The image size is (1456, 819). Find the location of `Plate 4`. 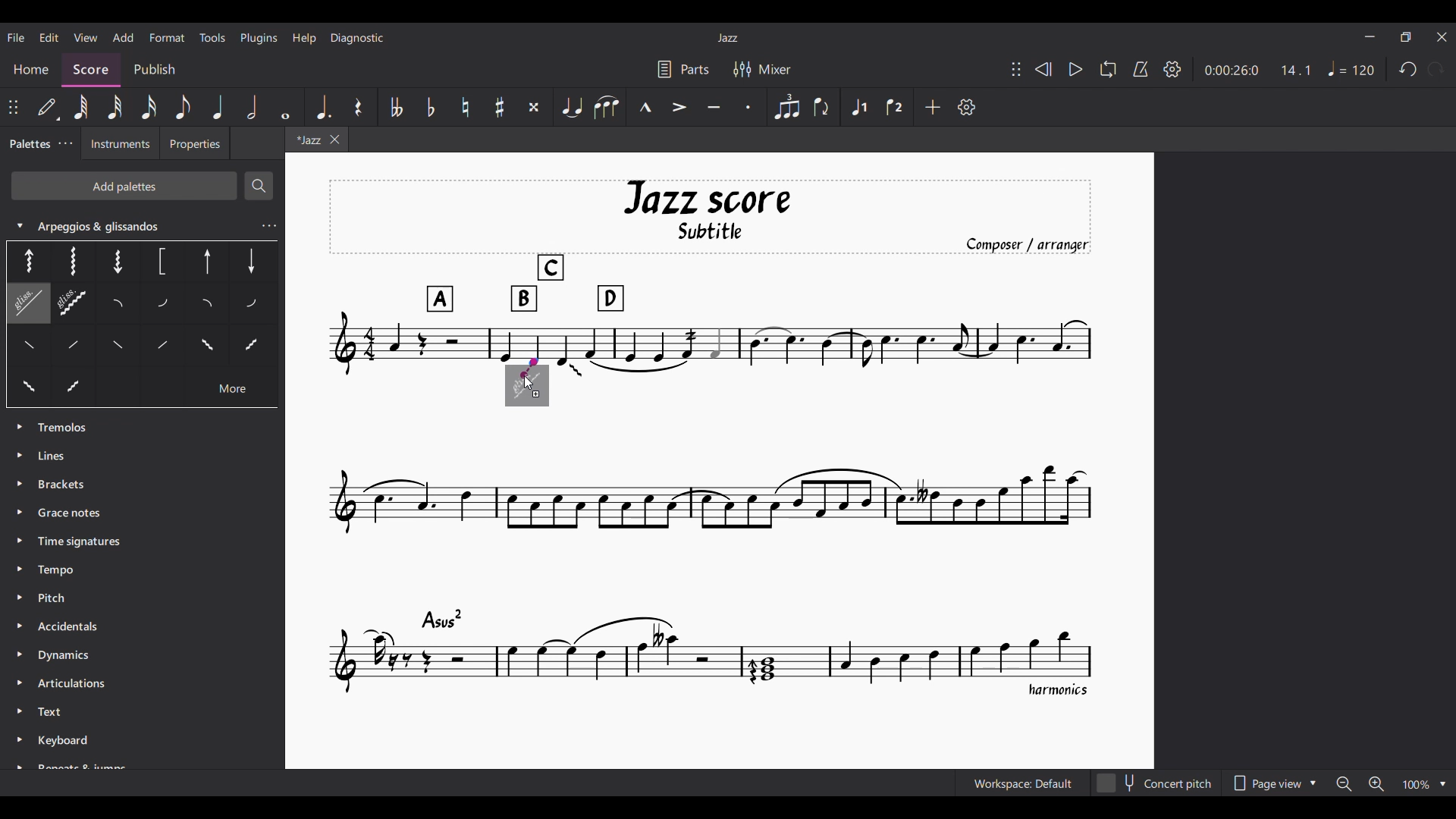

Plate 4 is located at coordinates (160, 262).